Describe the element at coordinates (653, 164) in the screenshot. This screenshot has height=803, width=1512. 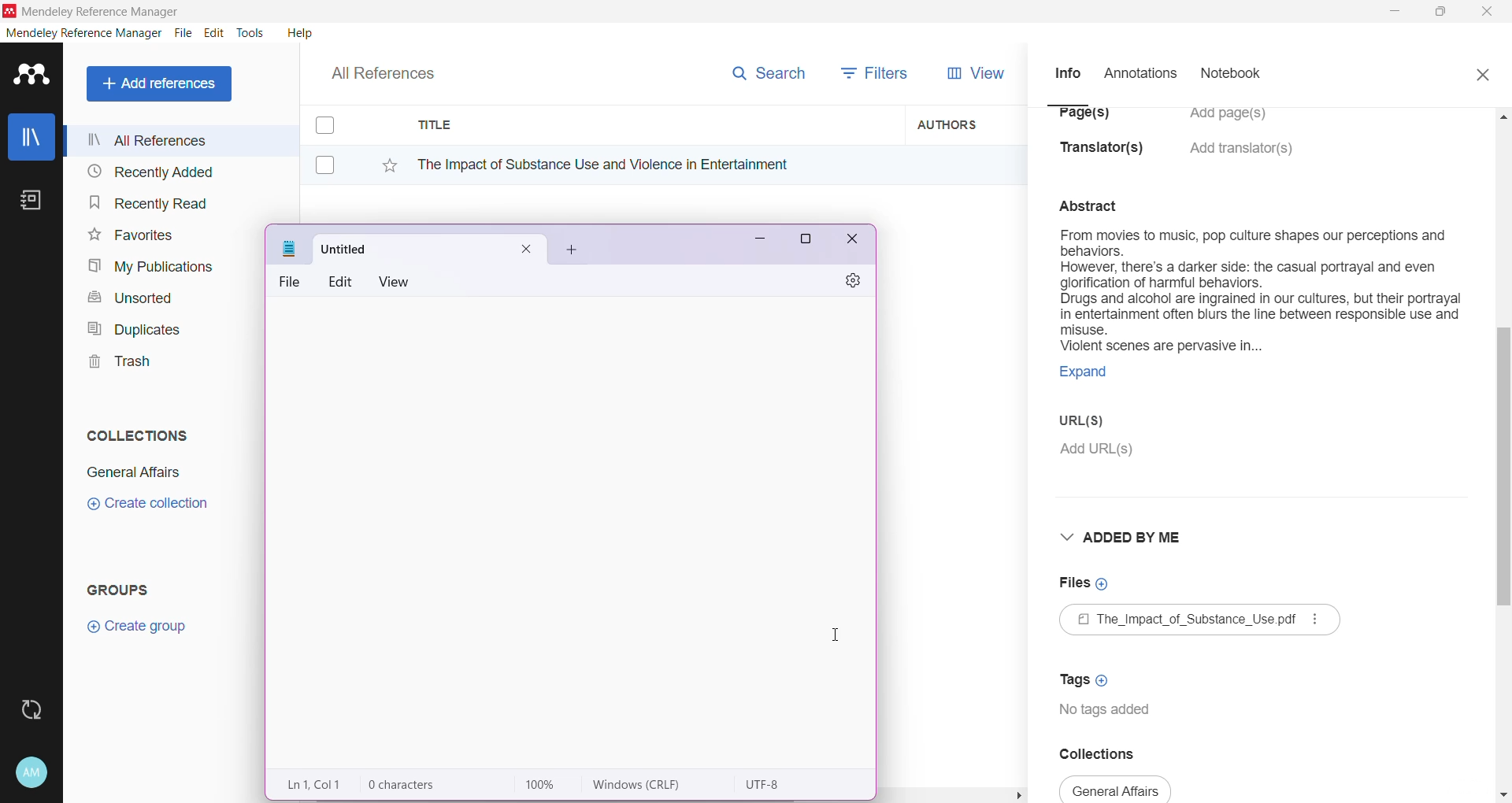
I see `Reference Title` at that location.